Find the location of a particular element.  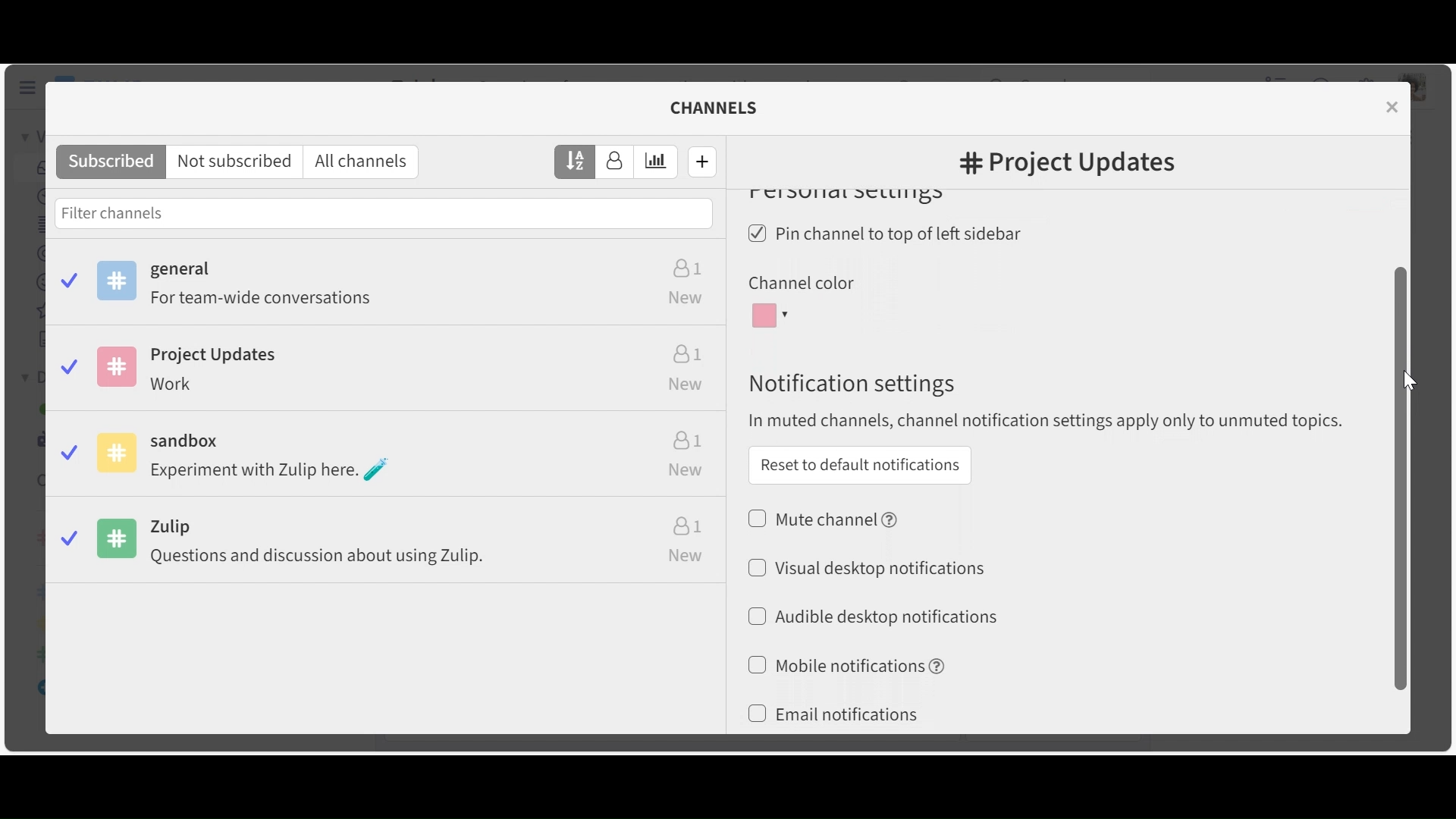

Subscribed channels is located at coordinates (389, 287).